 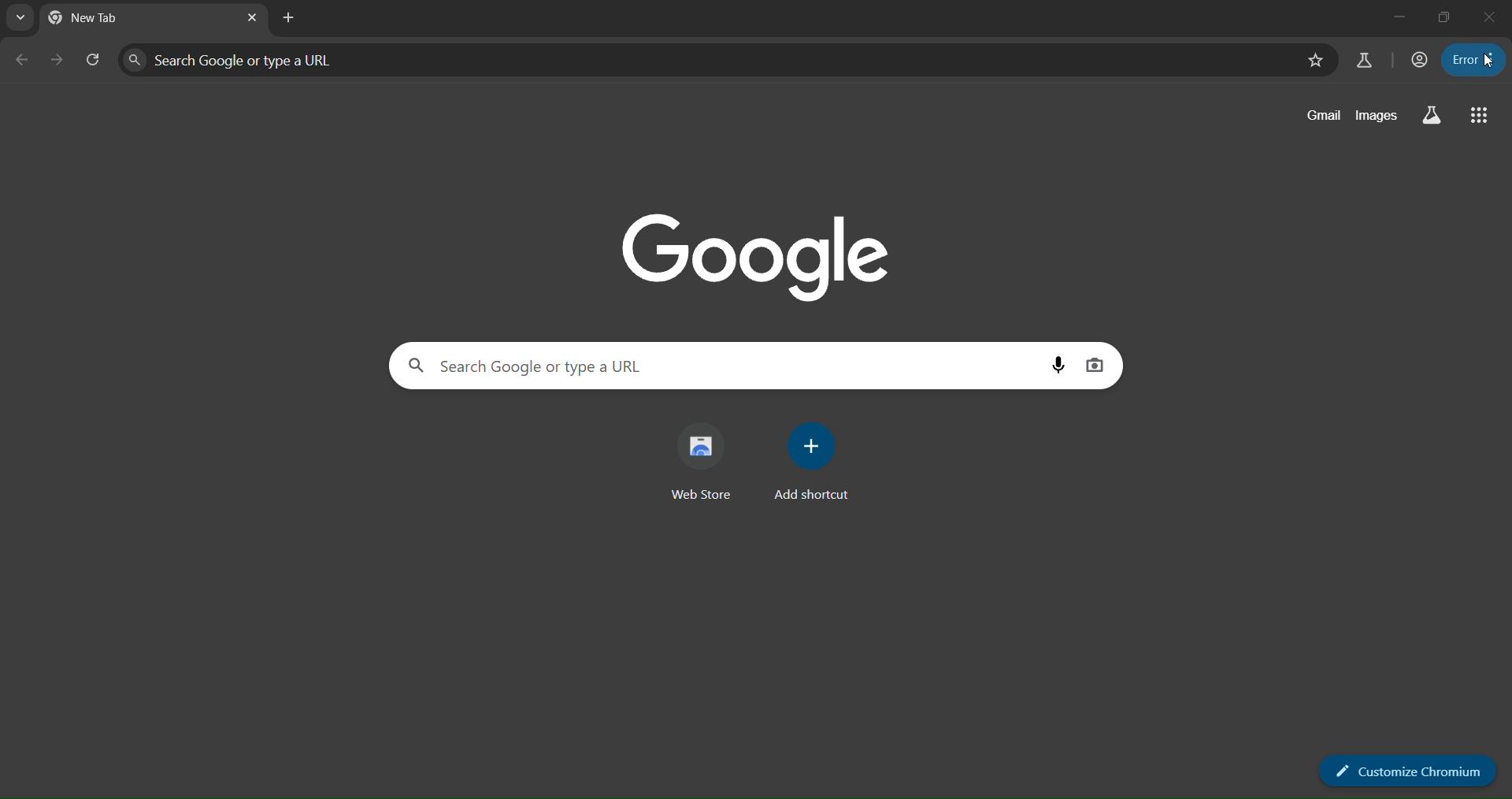 What do you see at coordinates (1488, 62) in the screenshot?
I see `cursor` at bounding box center [1488, 62].